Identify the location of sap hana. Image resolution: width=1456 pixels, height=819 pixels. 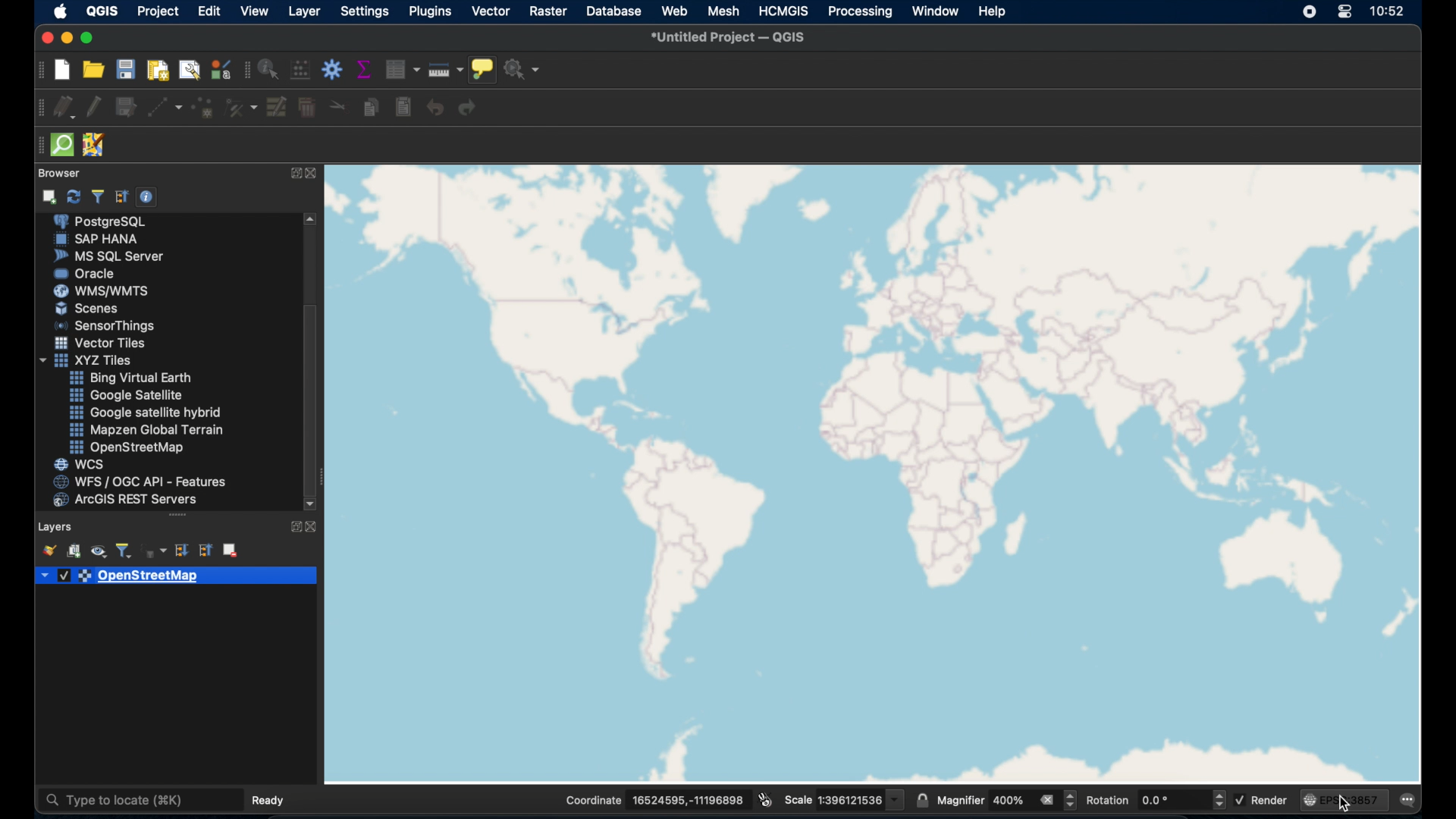
(97, 240).